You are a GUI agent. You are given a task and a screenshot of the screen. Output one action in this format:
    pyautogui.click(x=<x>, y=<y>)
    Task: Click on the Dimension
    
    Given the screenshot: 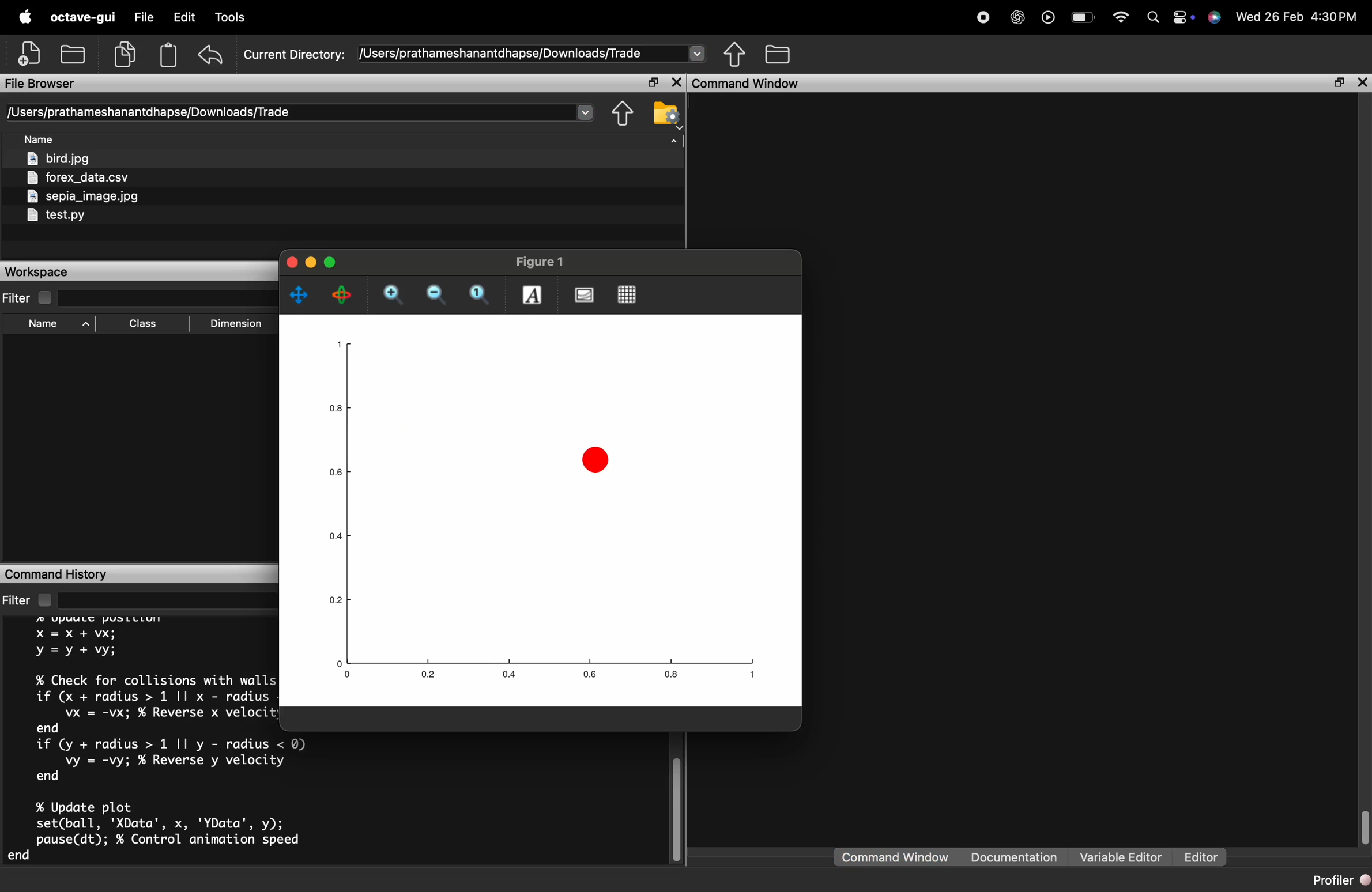 What is the action you would take?
    pyautogui.click(x=236, y=324)
    